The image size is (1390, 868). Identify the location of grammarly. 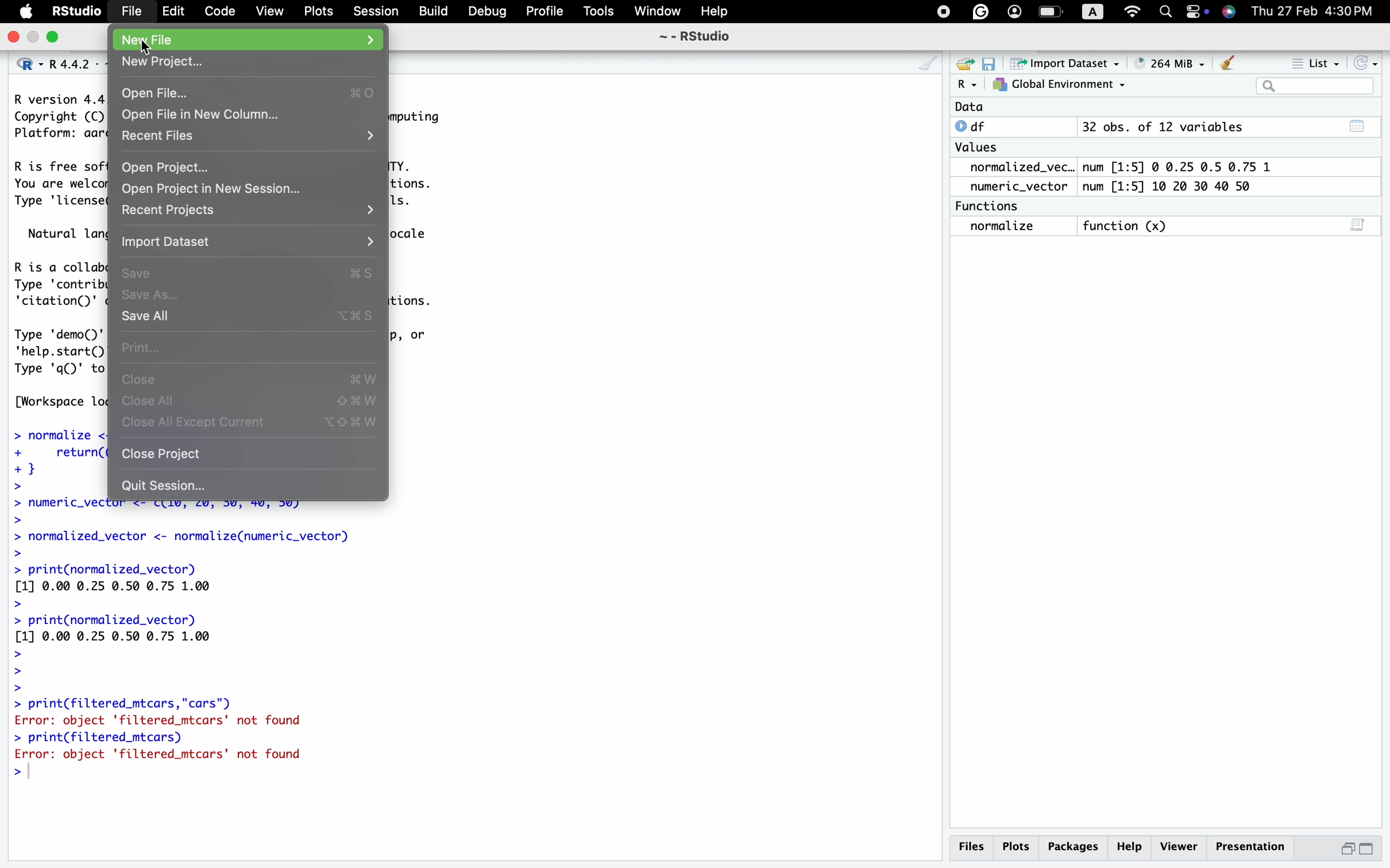
(980, 11).